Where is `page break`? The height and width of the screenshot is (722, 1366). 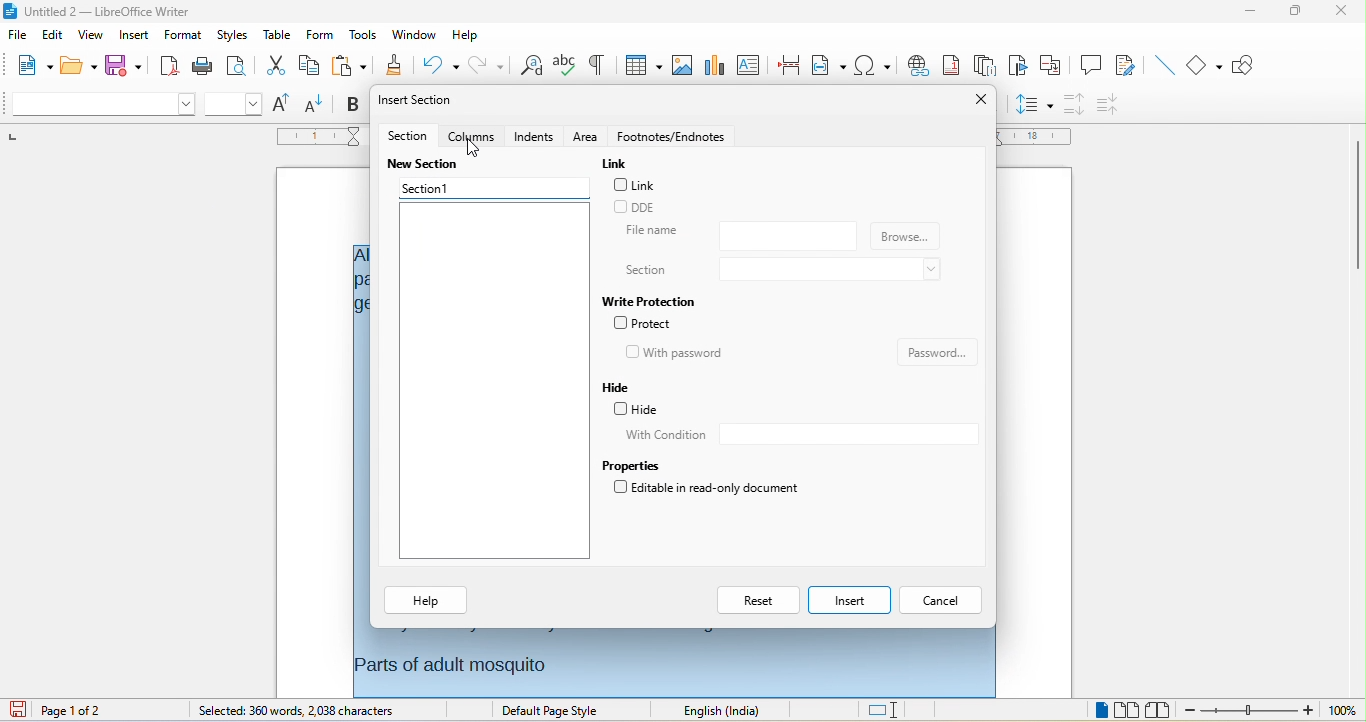 page break is located at coordinates (787, 63).